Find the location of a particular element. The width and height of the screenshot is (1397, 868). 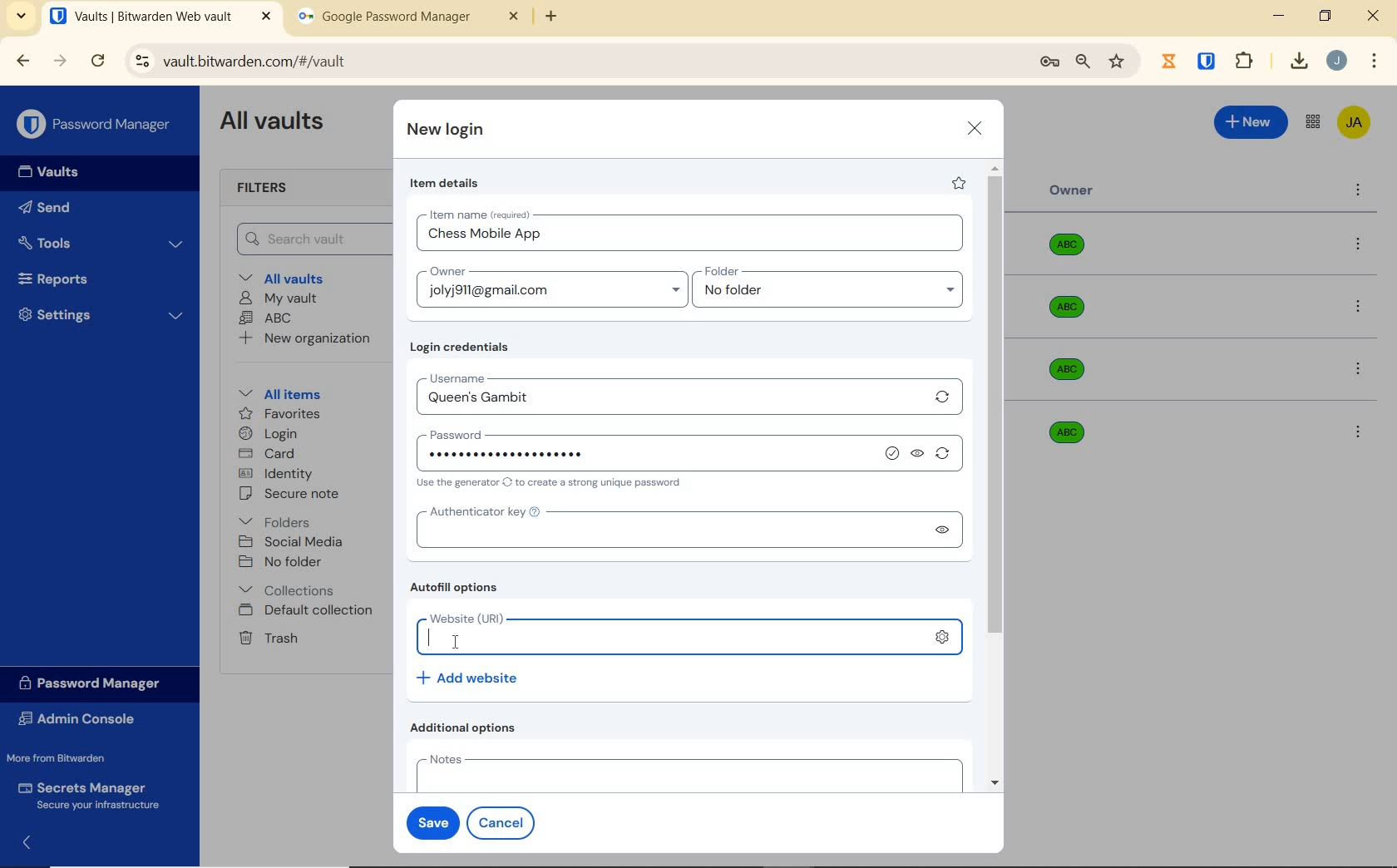

Send is located at coordinates (45, 210).